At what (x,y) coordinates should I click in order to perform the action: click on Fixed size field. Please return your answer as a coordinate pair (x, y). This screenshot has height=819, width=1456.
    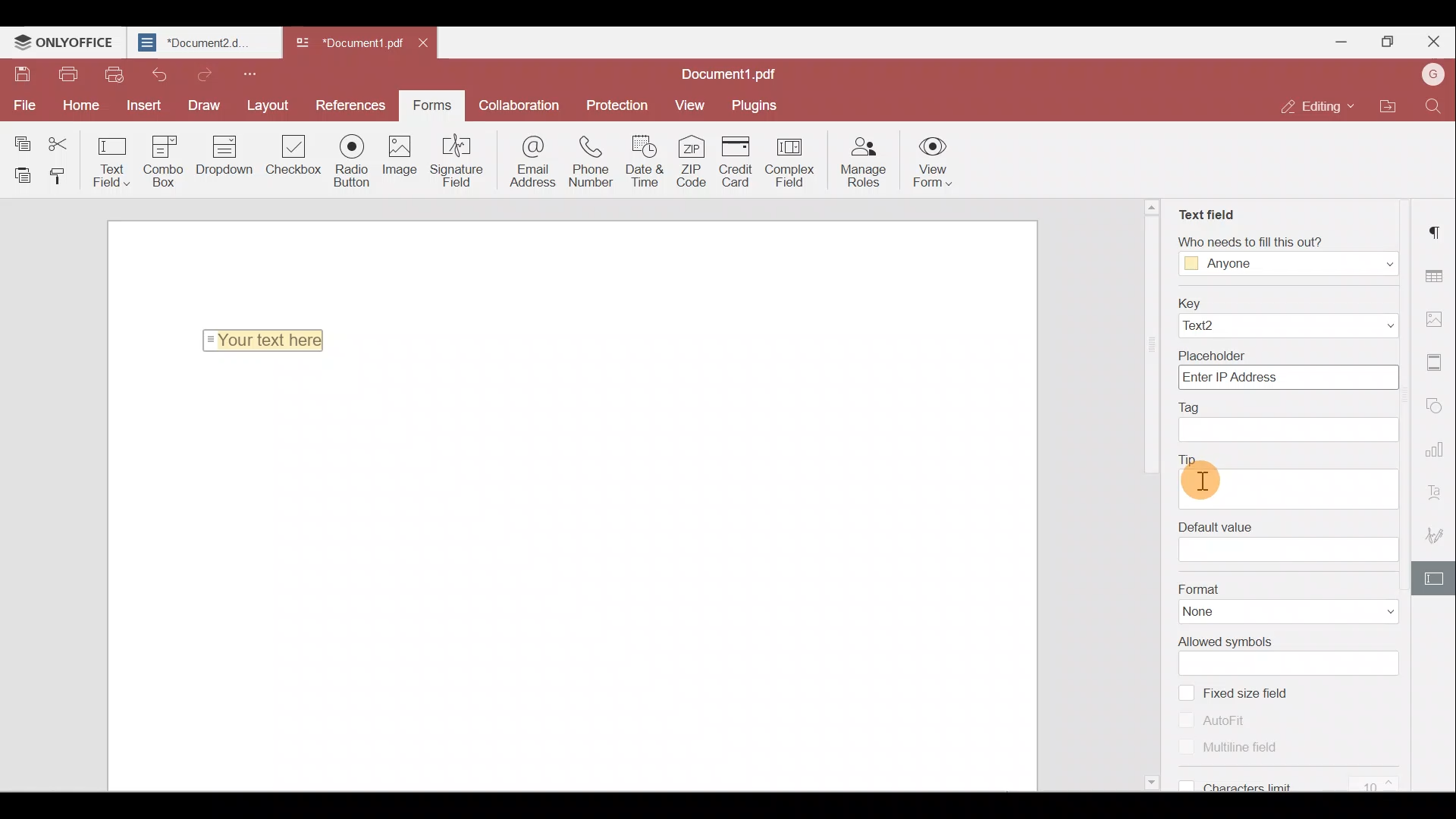
    Looking at the image, I should click on (1260, 694).